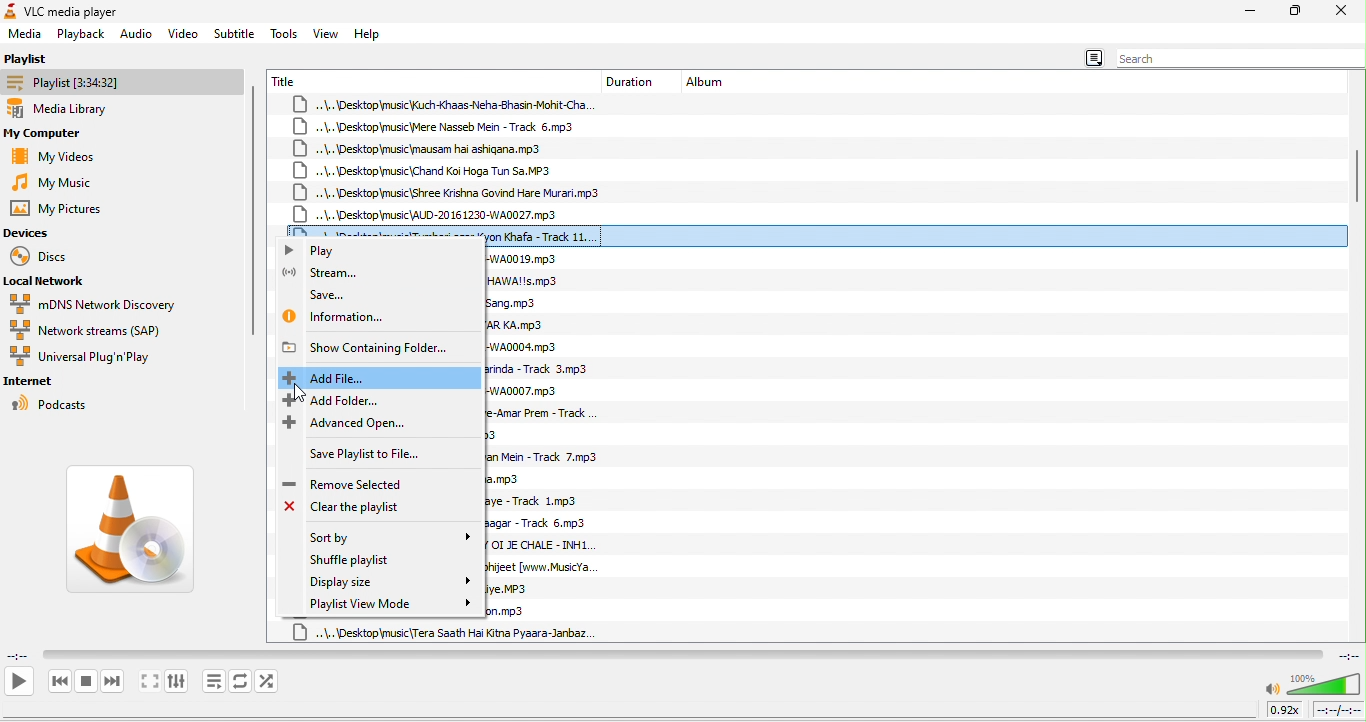 The width and height of the screenshot is (1366, 722). What do you see at coordinates (391, 603) in the screenshot?
I see `playlist view mode` at bounding box center [391, 603].